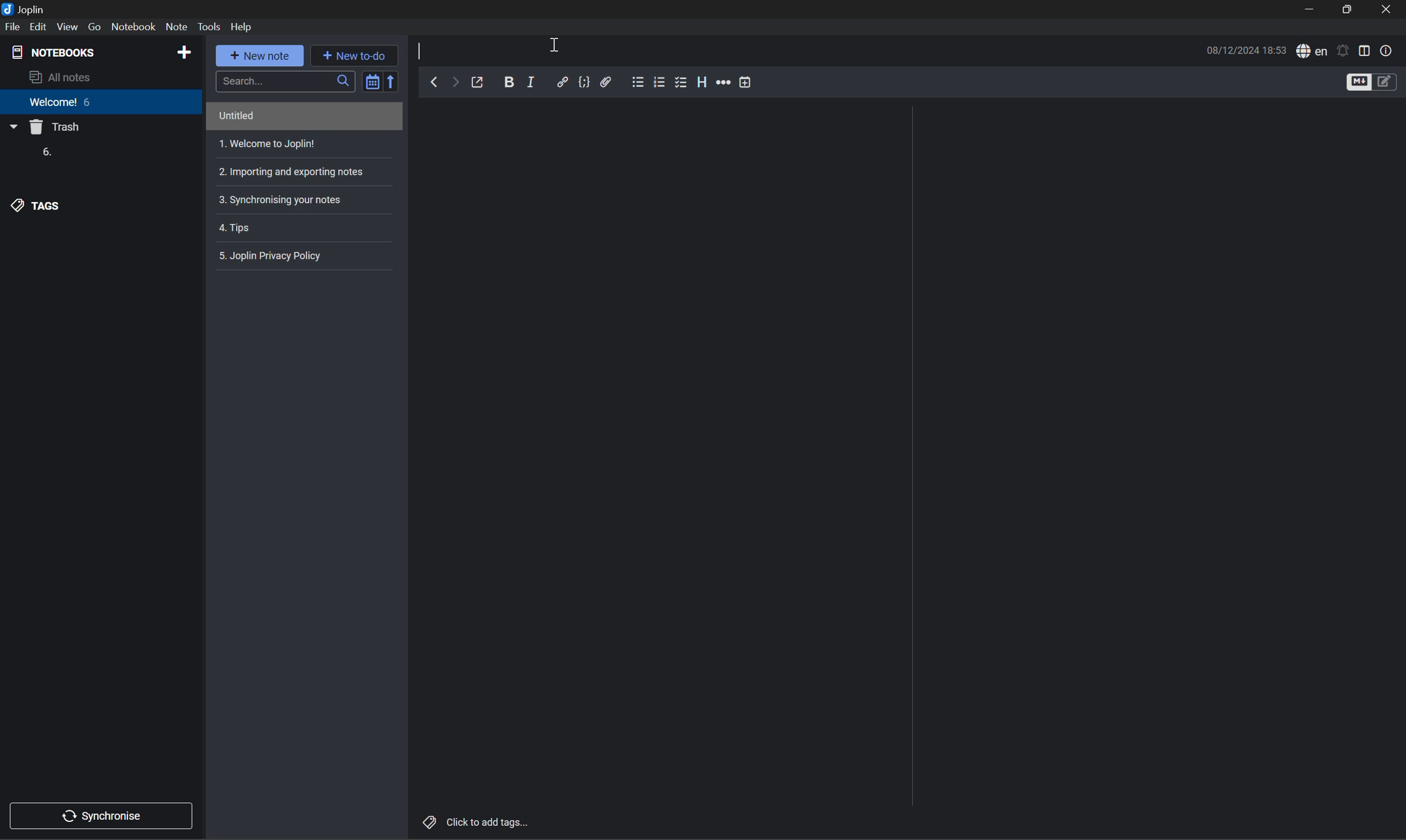 The width and height of the screenshot is (1406, 840). What do you see at coordinates (63, 78) in the screenshot?
I see `All notes` at bounding box center [63, 78].